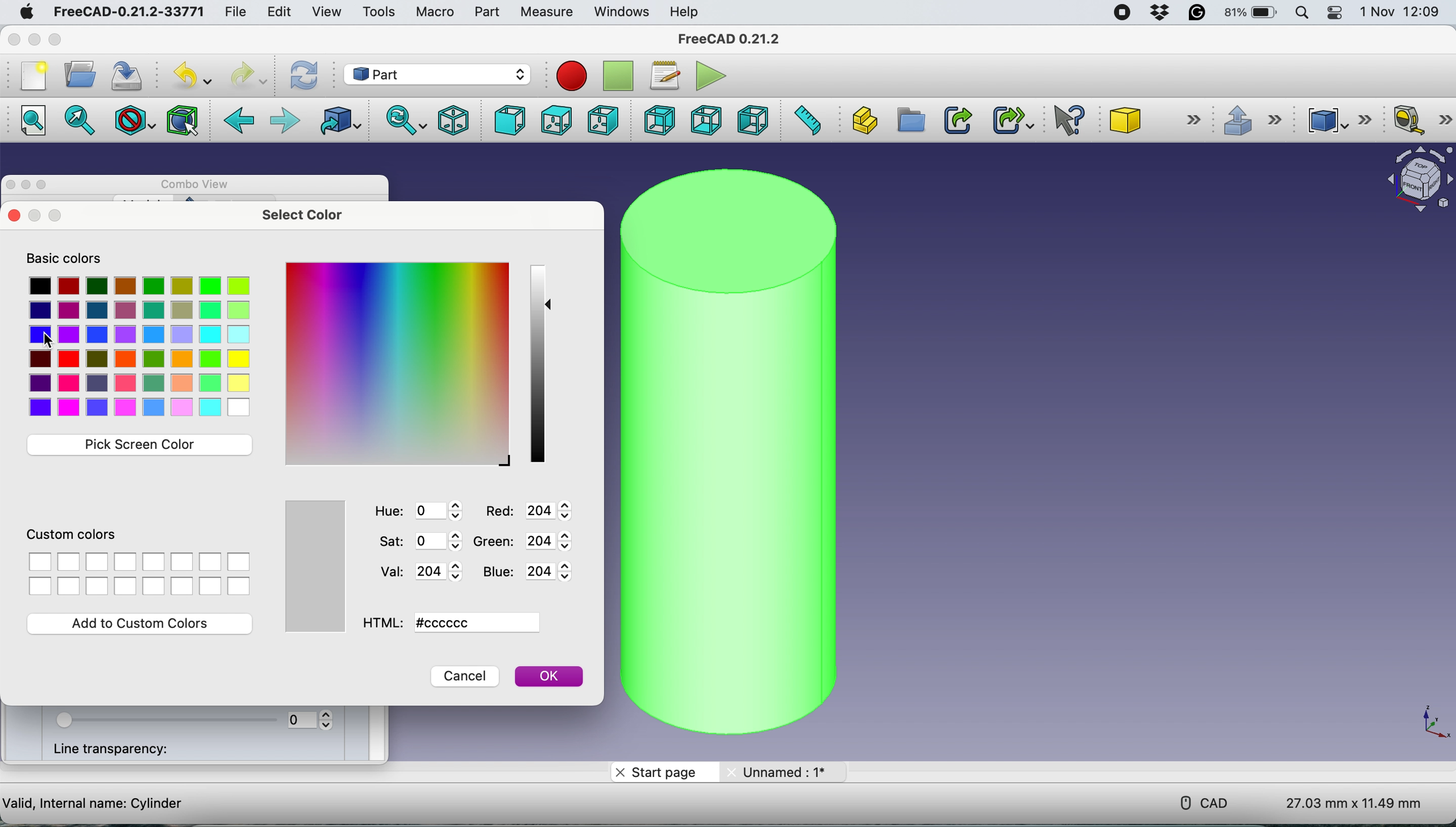 The width and height of the screenshot is (1456, 827). What do you see at coordinates (438, 13) in the screenshot?
I see `macro` at bounding box center [438, 13].